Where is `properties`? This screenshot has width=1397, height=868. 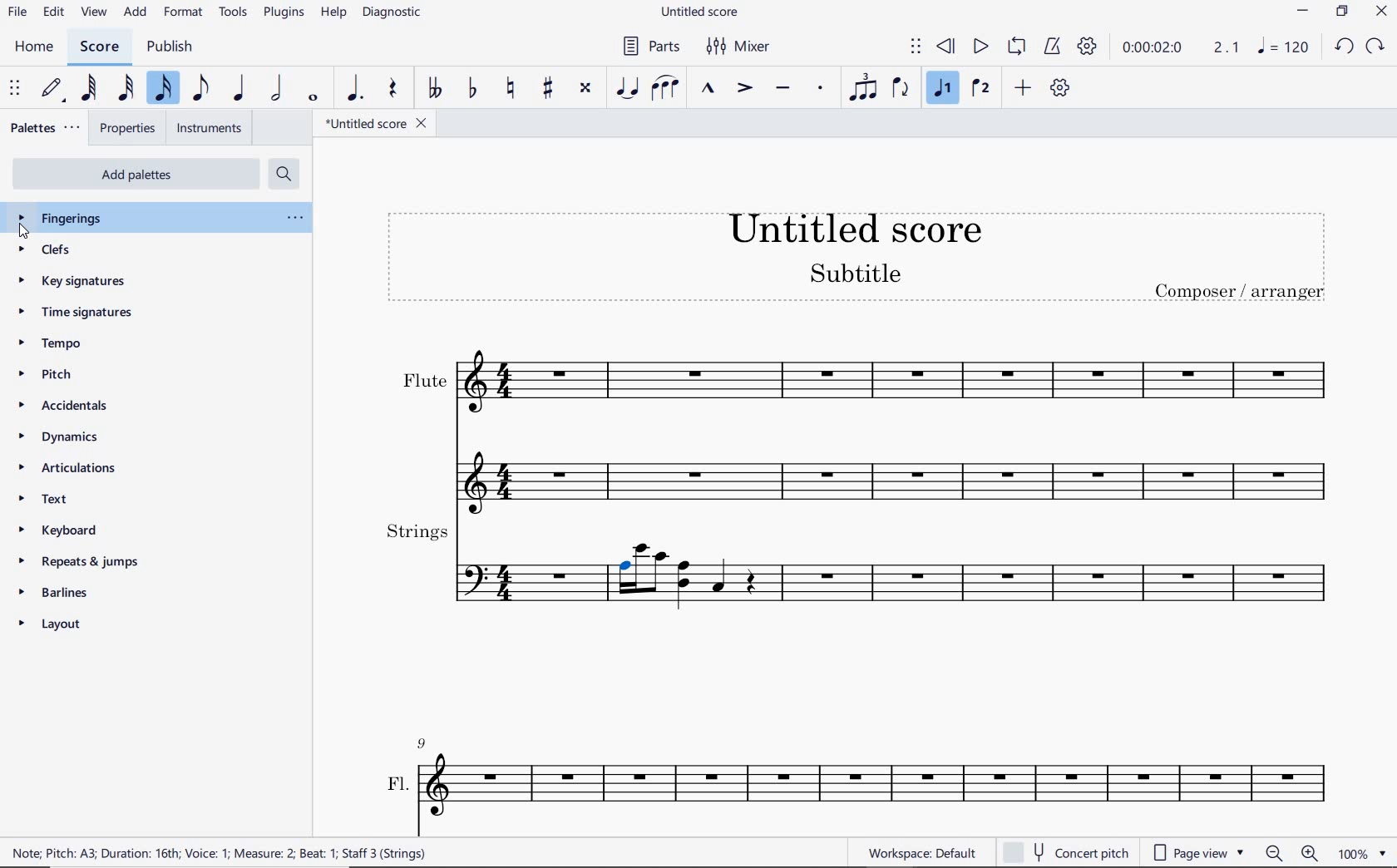
properties is located at coordinates (128, 128).